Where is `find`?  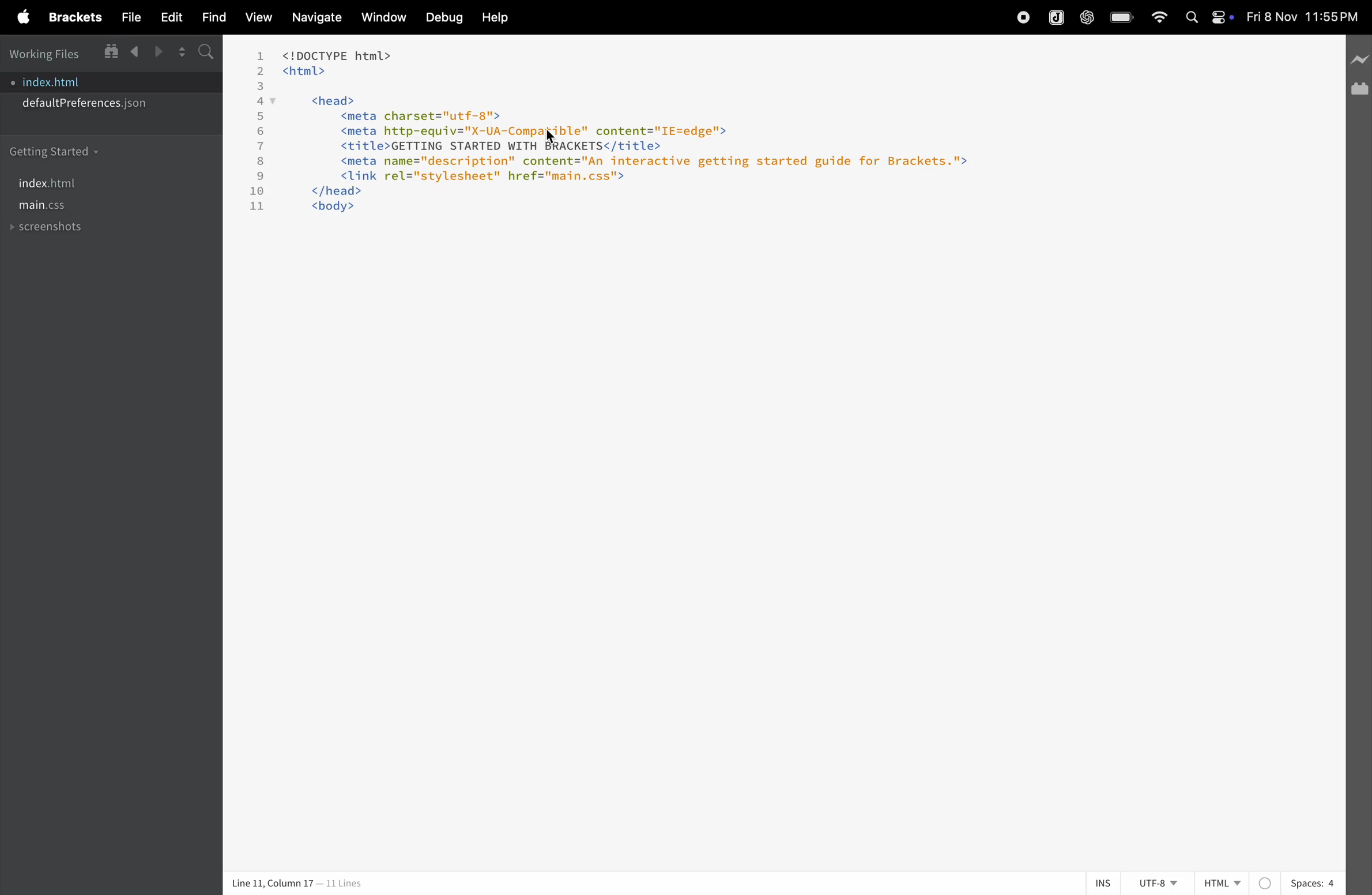
find is located at coordinates (211, 17).